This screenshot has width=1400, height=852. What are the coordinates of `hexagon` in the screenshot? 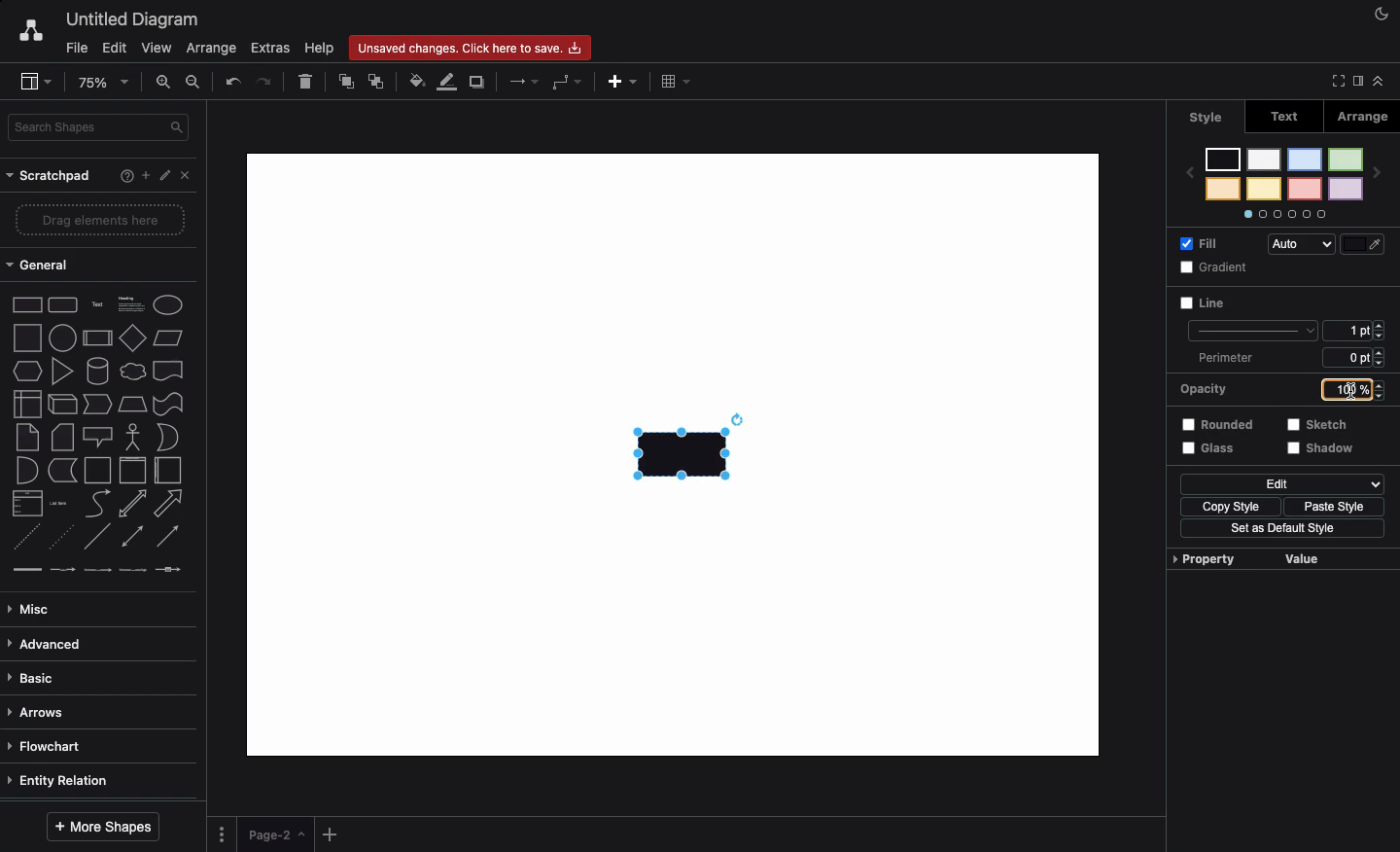 It's located at (24, 371).